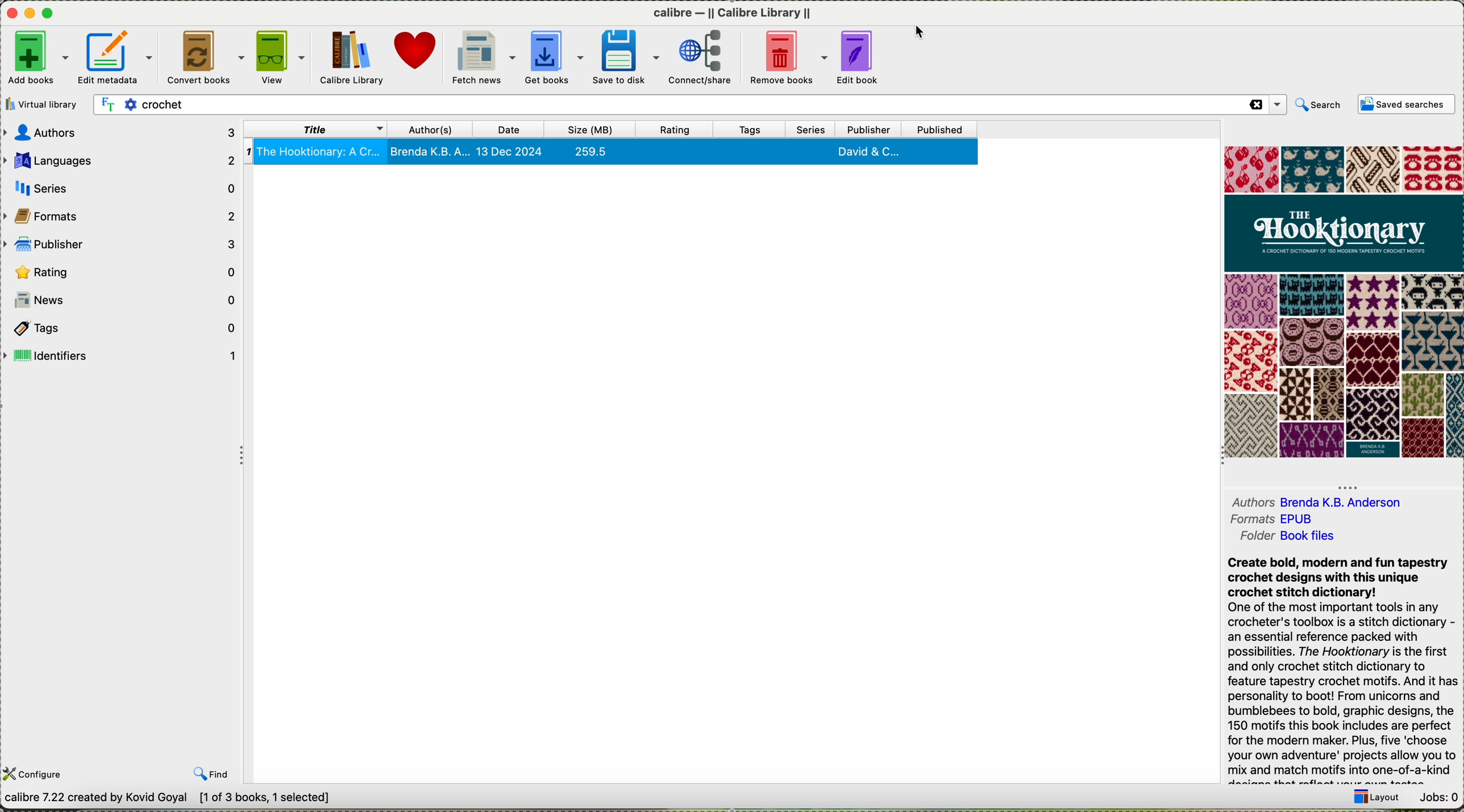  Describe the element at coordinates (123, 271) in the screenshot. I see `rating` at that location.